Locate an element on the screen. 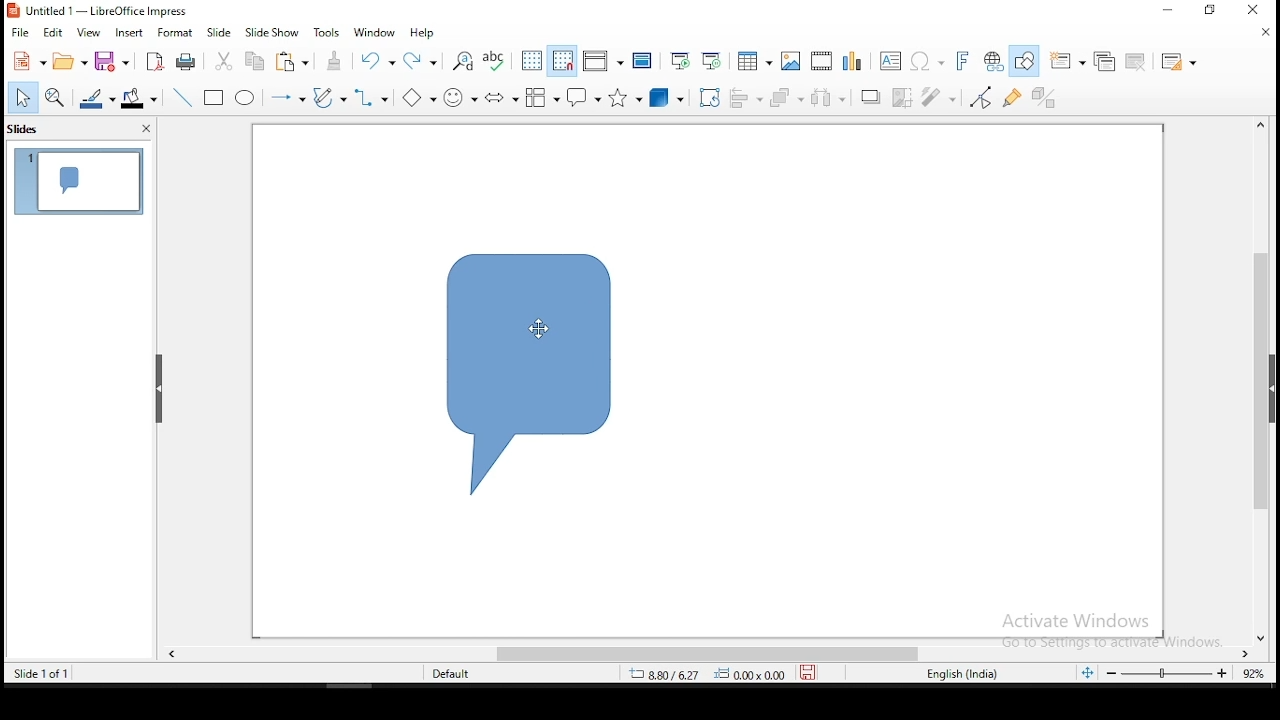 This screenshot has width=1280, height=720. save is located at coordinates (811, 672).